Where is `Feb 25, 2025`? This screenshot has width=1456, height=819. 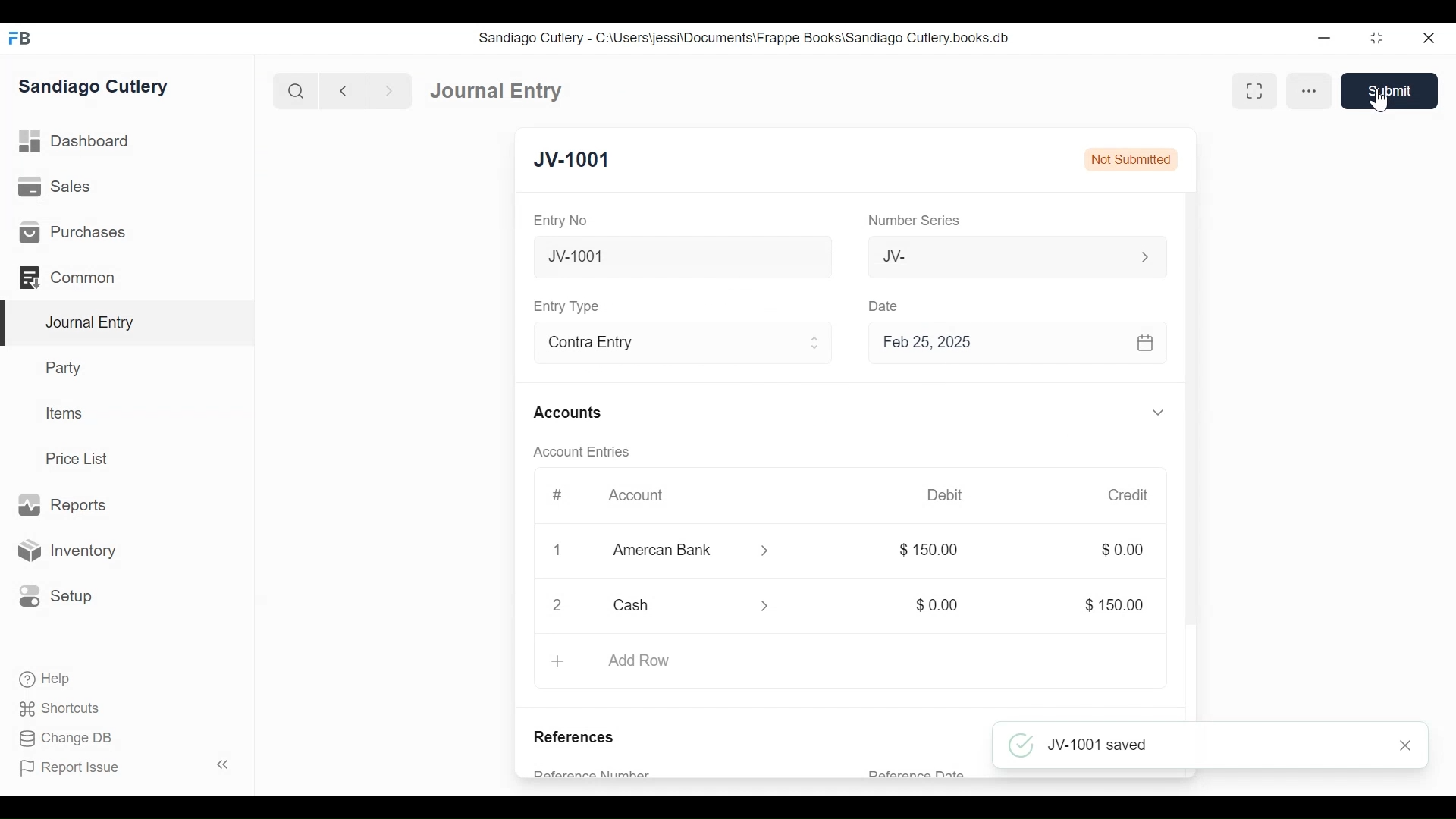 Feb 25, 2025 is located at coordinates (1011, 342).